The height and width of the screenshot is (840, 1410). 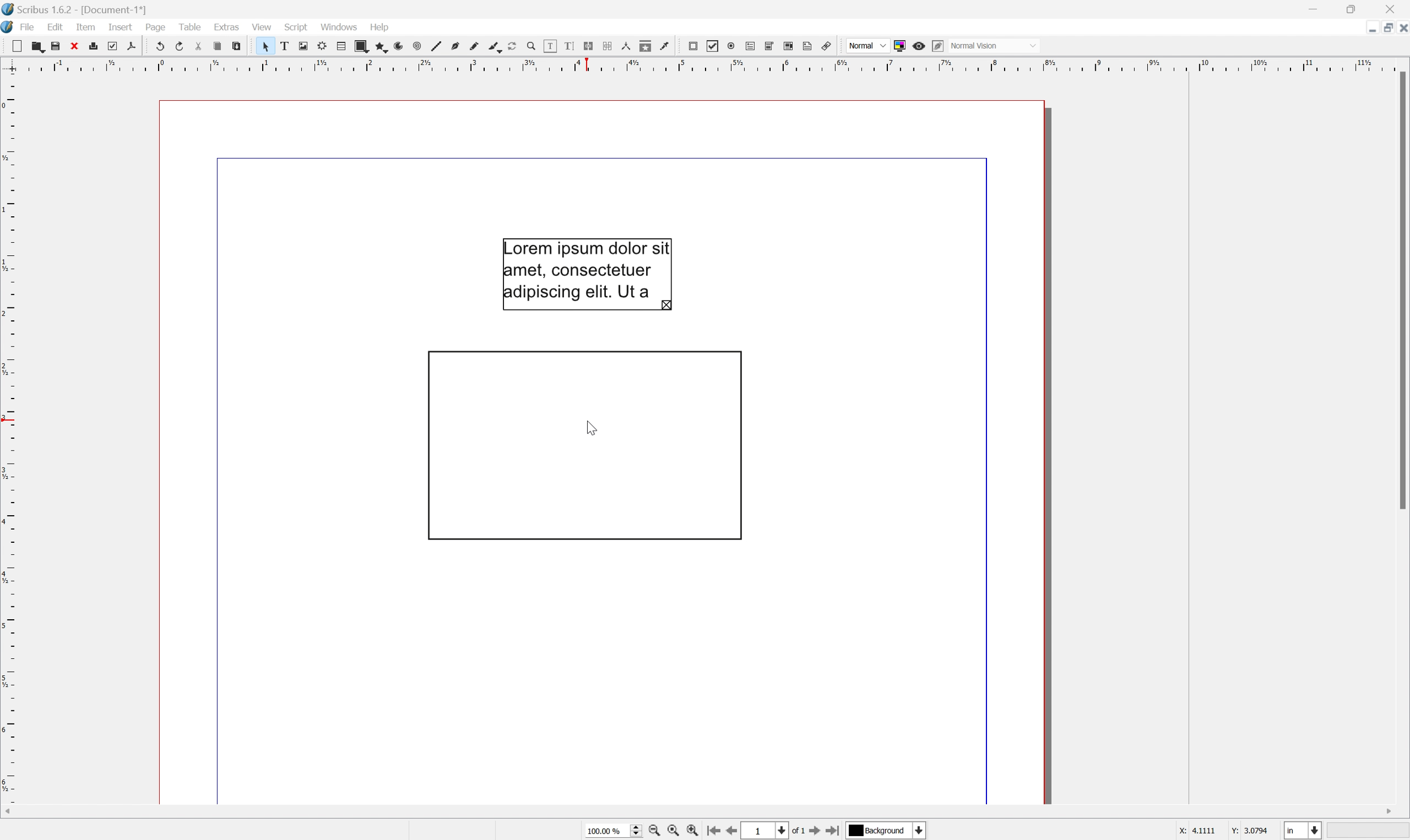 What do you see at coordinates (9, 27) in the screenshot?
I see `Scribus icon` at bounding box center [9, 27].